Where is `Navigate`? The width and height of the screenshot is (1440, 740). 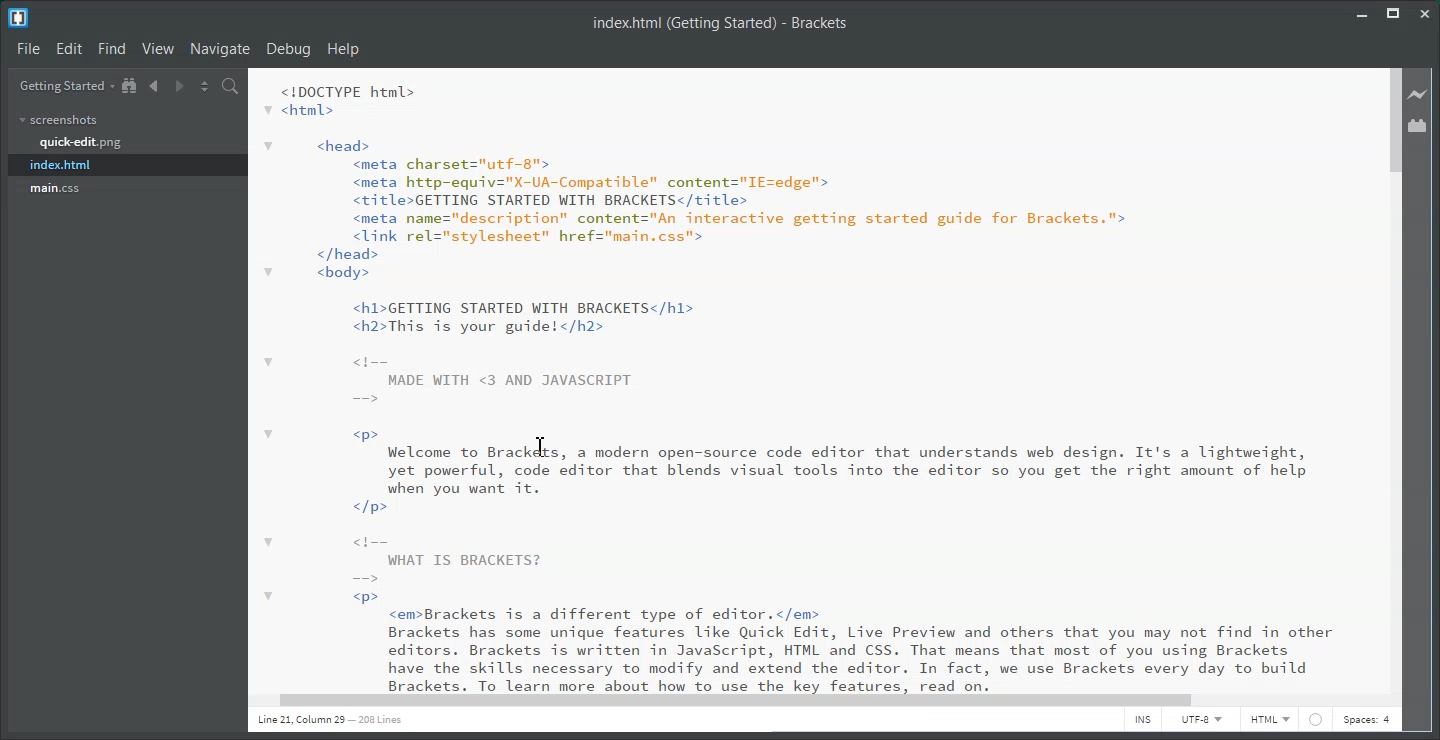
Navigate is located at coordinates (220, 49).